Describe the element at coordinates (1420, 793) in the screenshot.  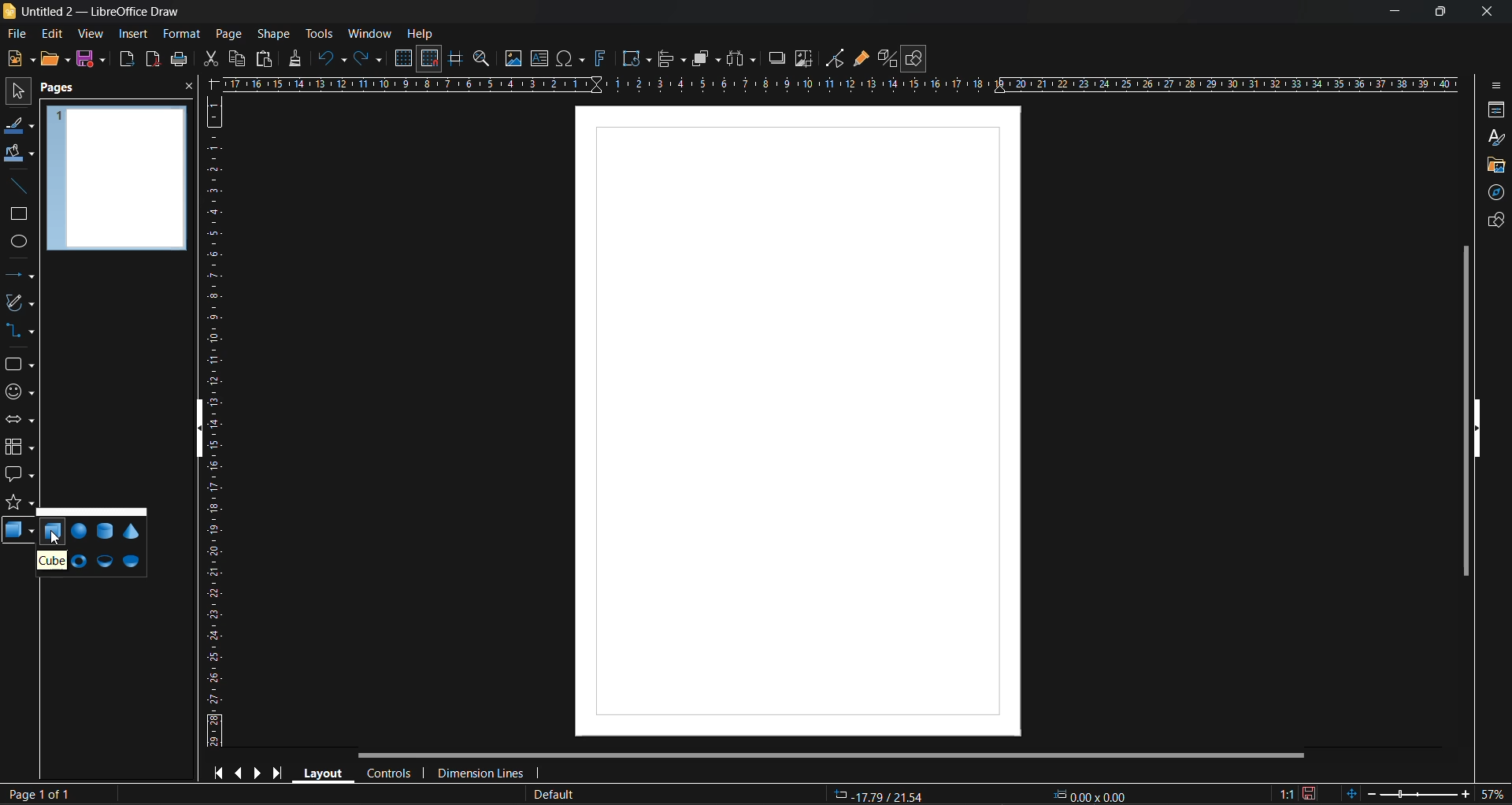
I see `zoom slider` at that location.